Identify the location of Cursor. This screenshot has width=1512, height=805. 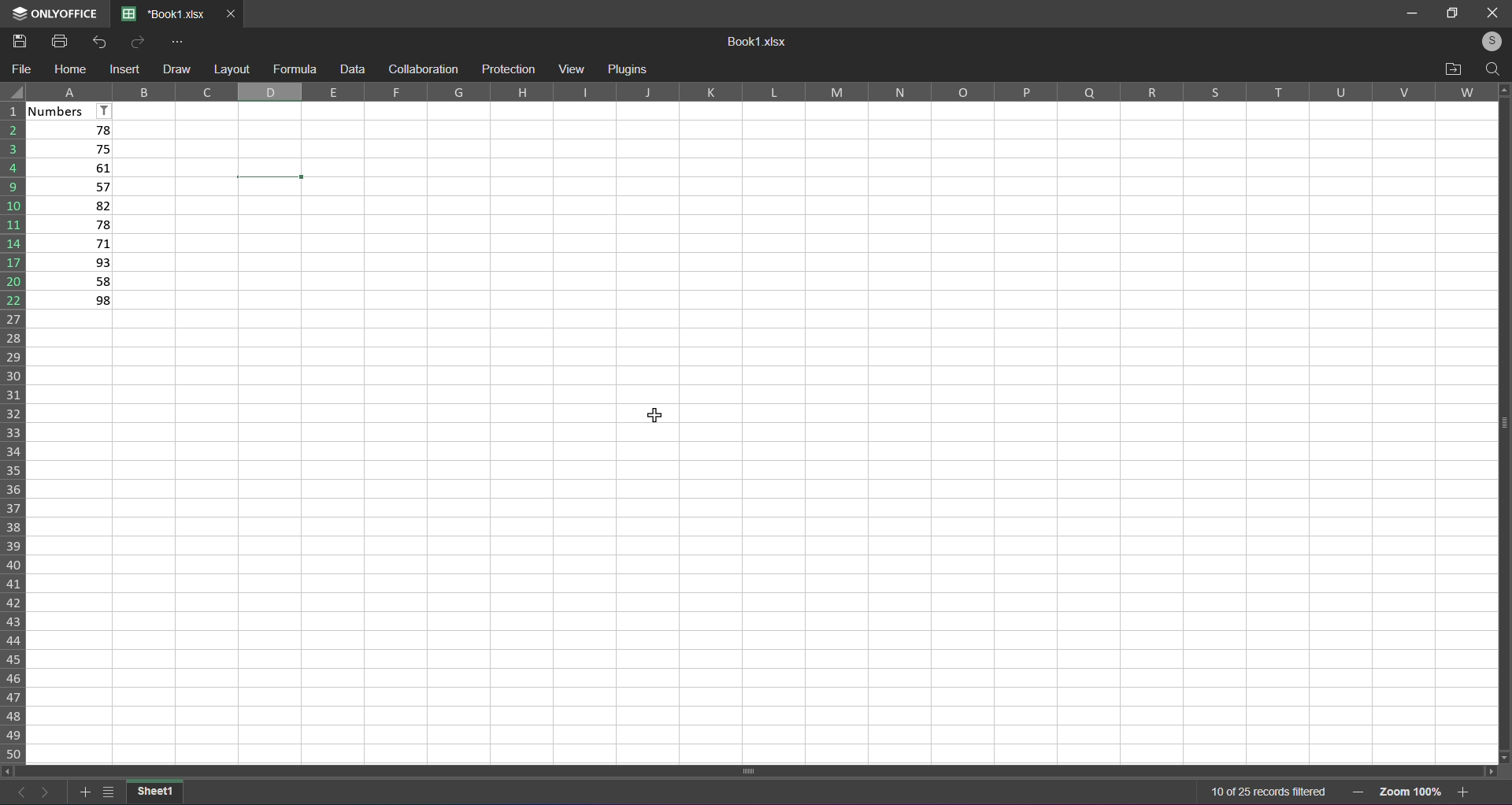
(657, 421).